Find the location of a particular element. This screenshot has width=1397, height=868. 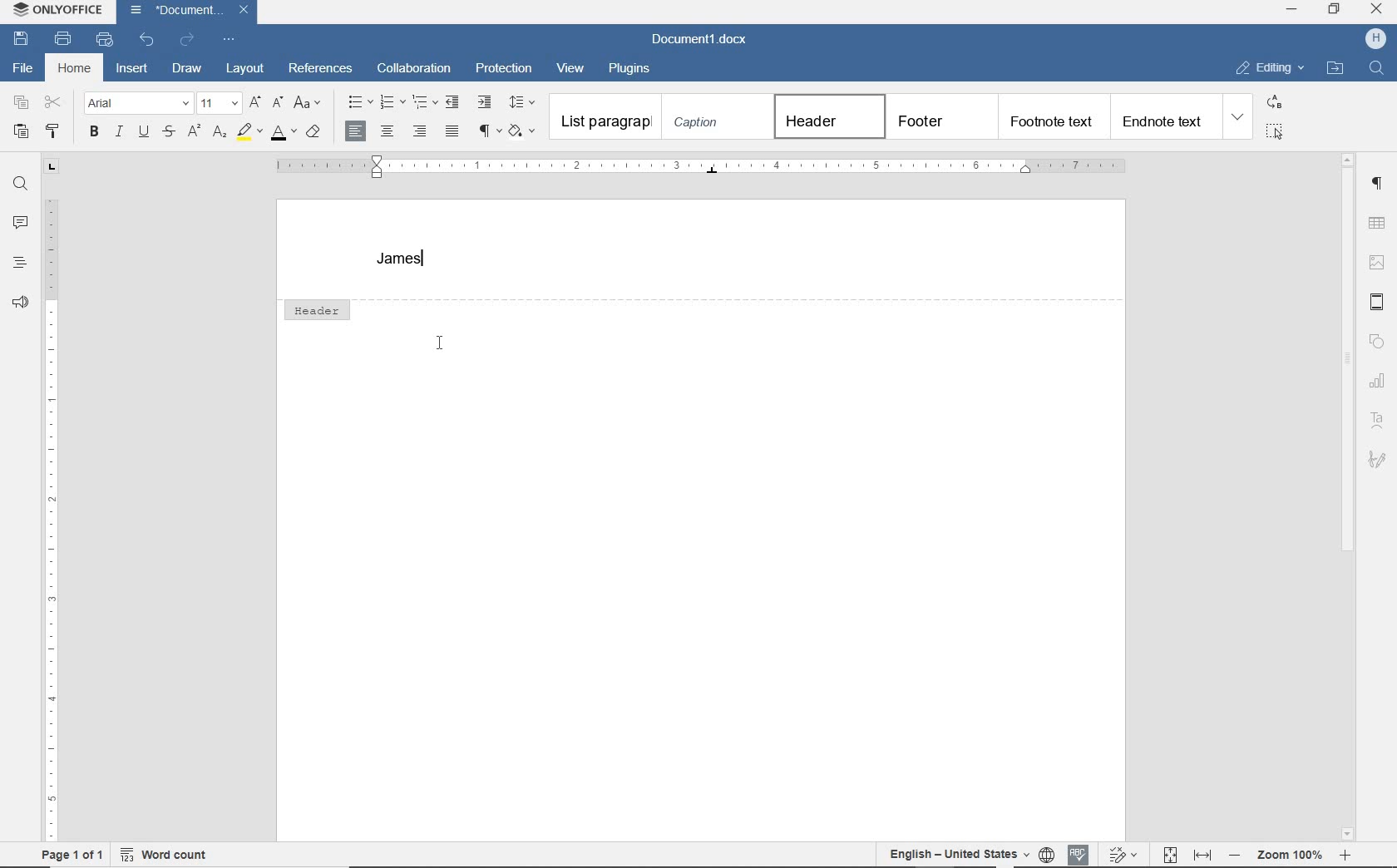

shading is located at coordinates (524, 131).